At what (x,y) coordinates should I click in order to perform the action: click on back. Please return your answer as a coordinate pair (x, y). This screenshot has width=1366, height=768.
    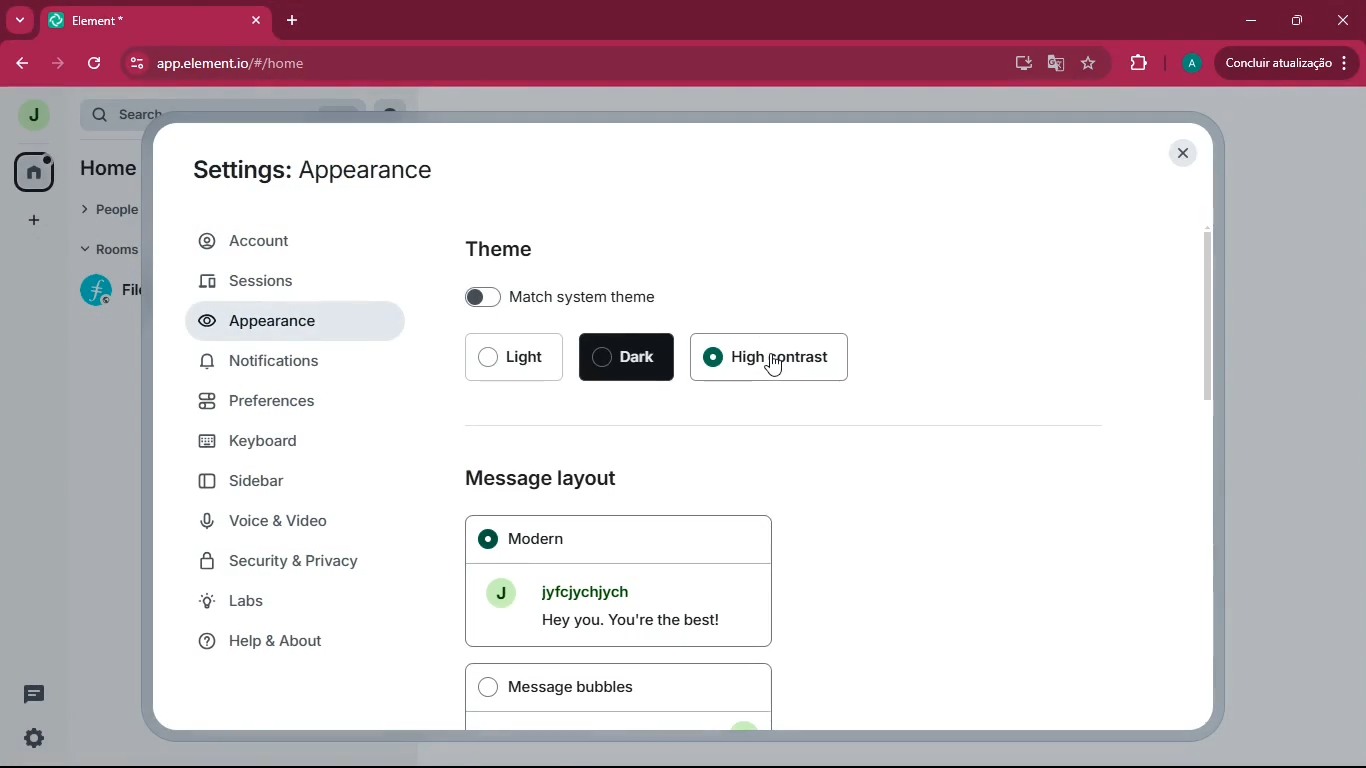
    Looking at the image, I should click on (15, 64).